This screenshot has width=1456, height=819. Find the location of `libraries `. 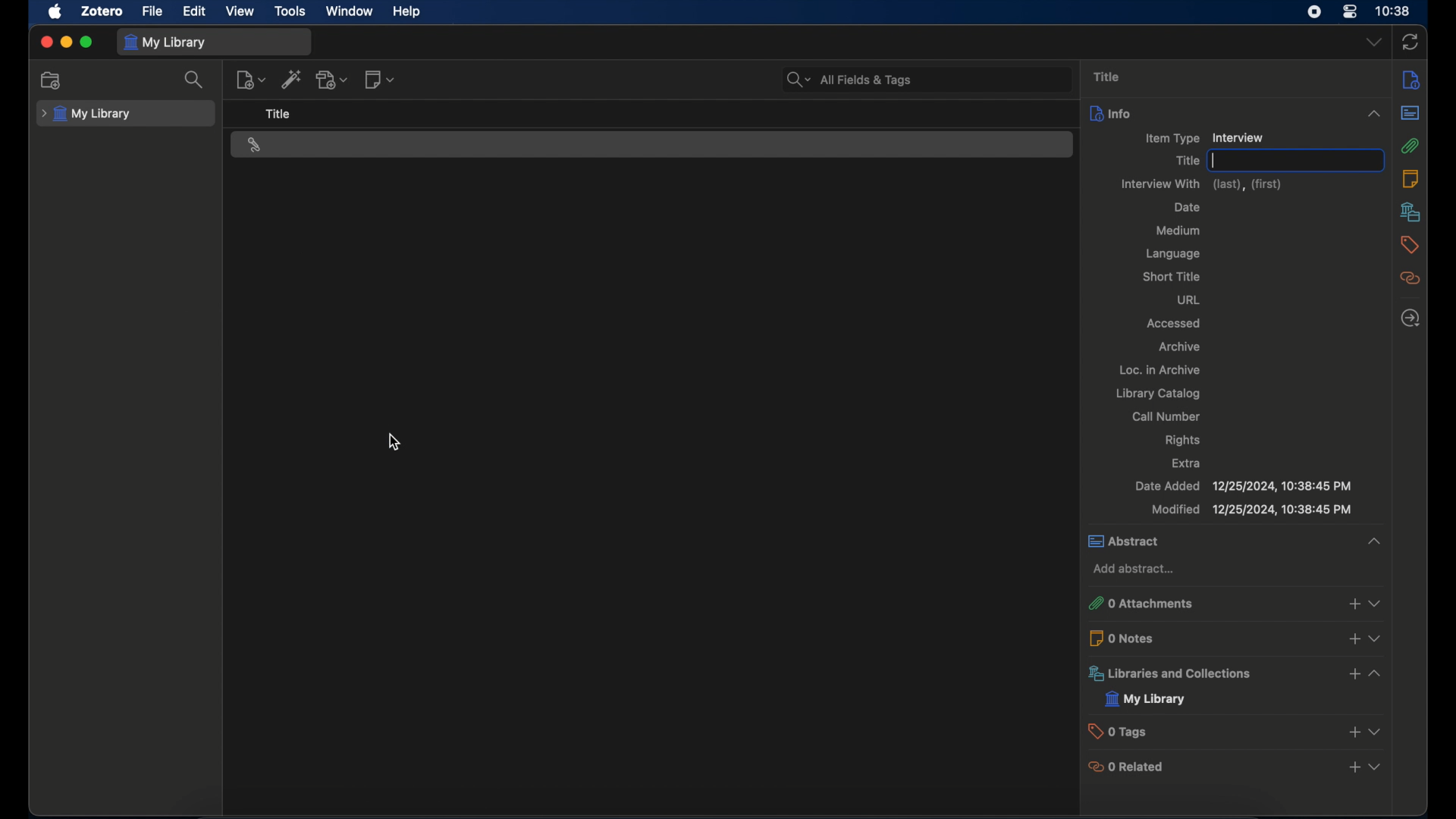

libraries  is located at coordinates (1410, 212).